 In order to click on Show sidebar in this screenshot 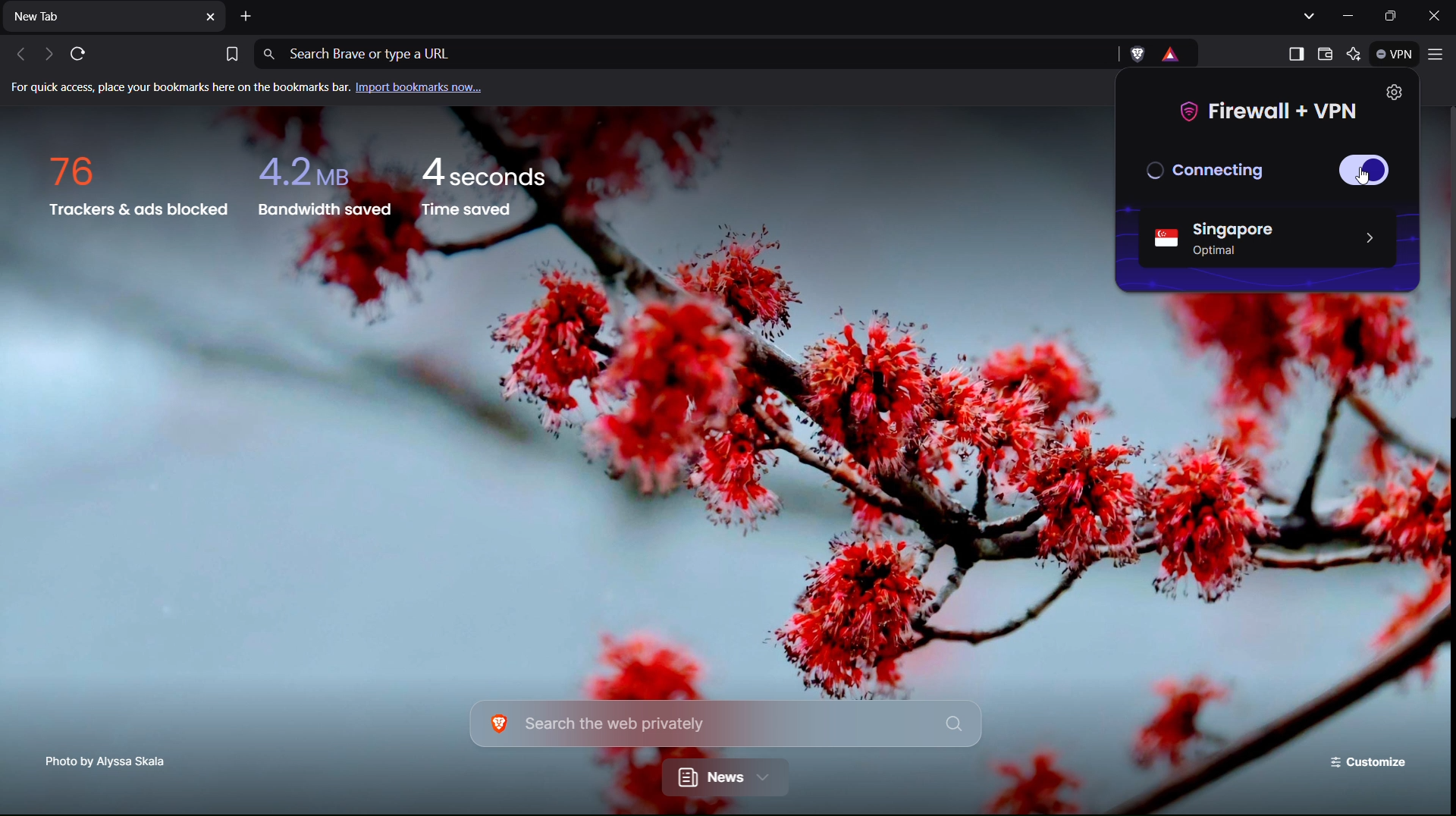, I will do `click(1295, 54)`.